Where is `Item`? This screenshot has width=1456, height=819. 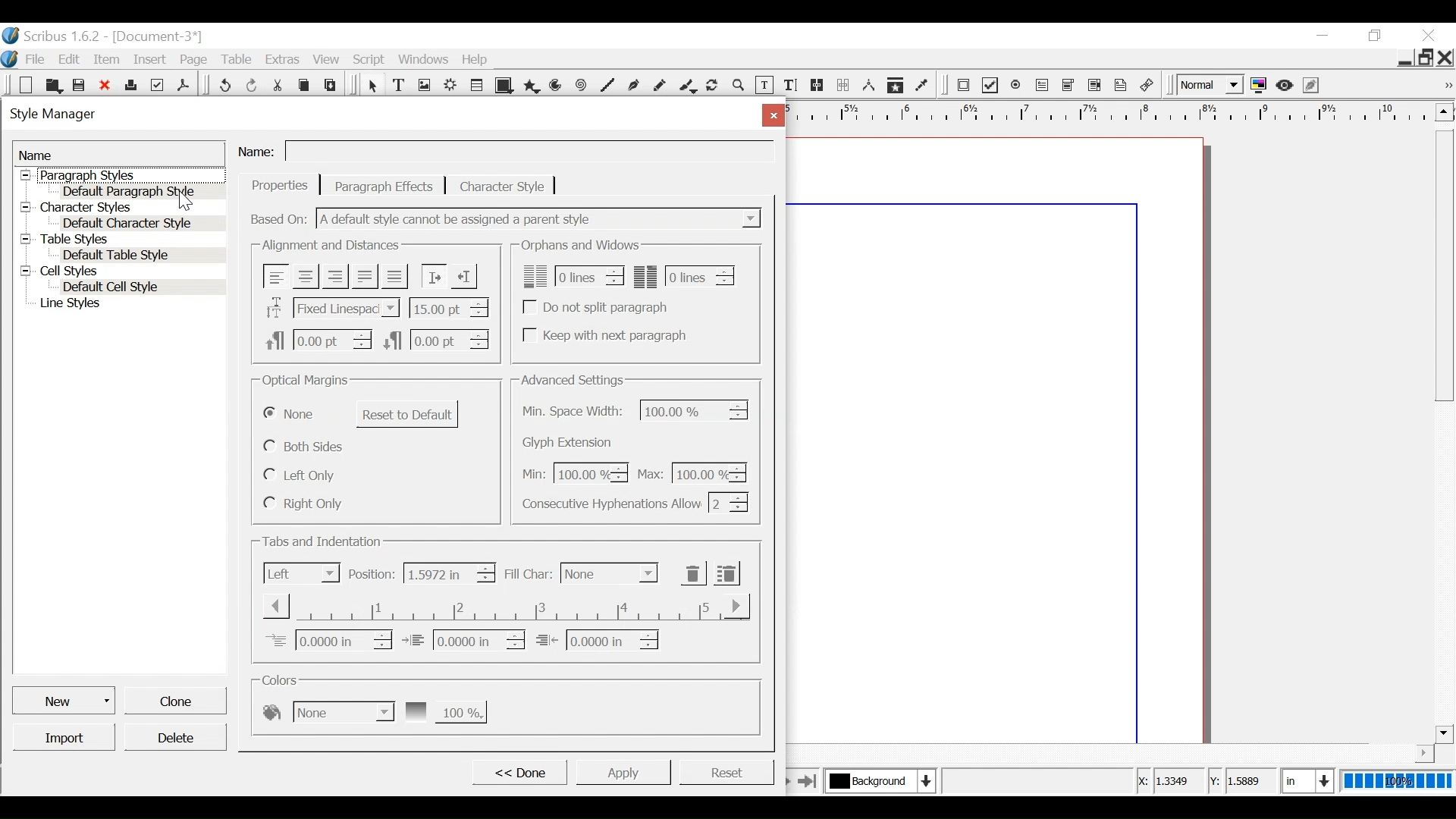 Item is located at coordinates (107, 60).